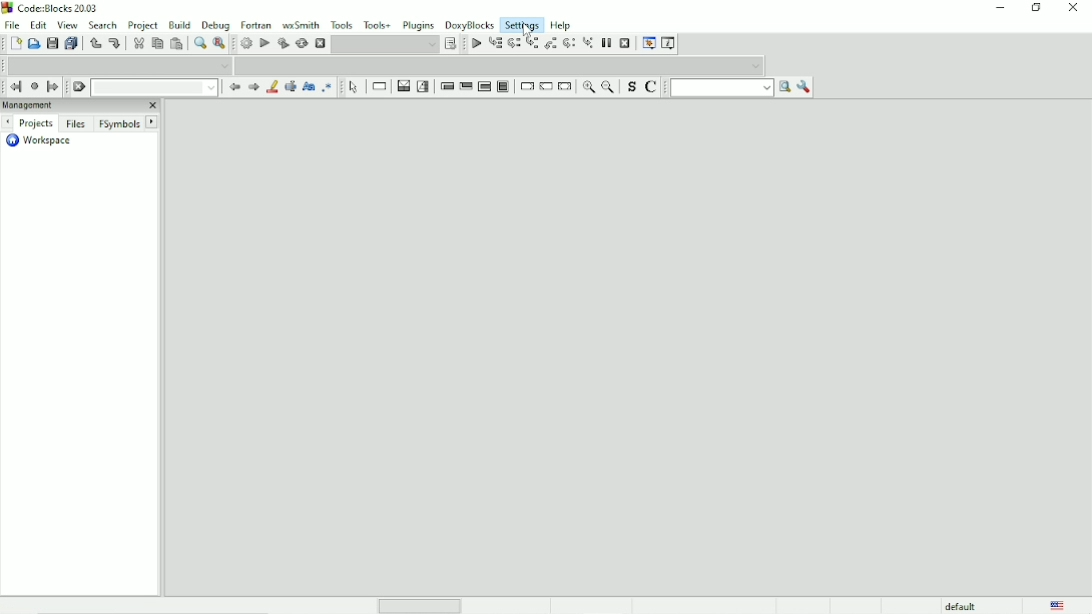  What do you see at coordinates (420, 25) in the screenshot?
I see `Plugins` at bounding box center [420, 25].